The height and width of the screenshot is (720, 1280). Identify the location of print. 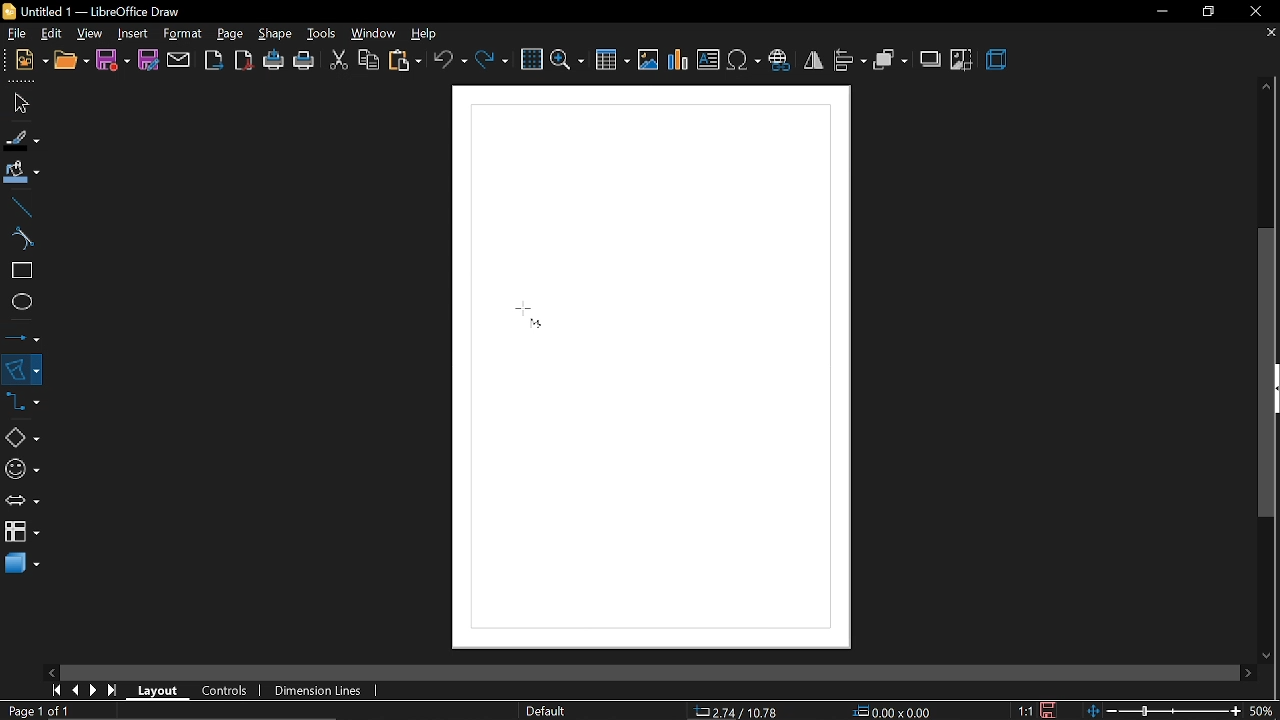
(305, 61).